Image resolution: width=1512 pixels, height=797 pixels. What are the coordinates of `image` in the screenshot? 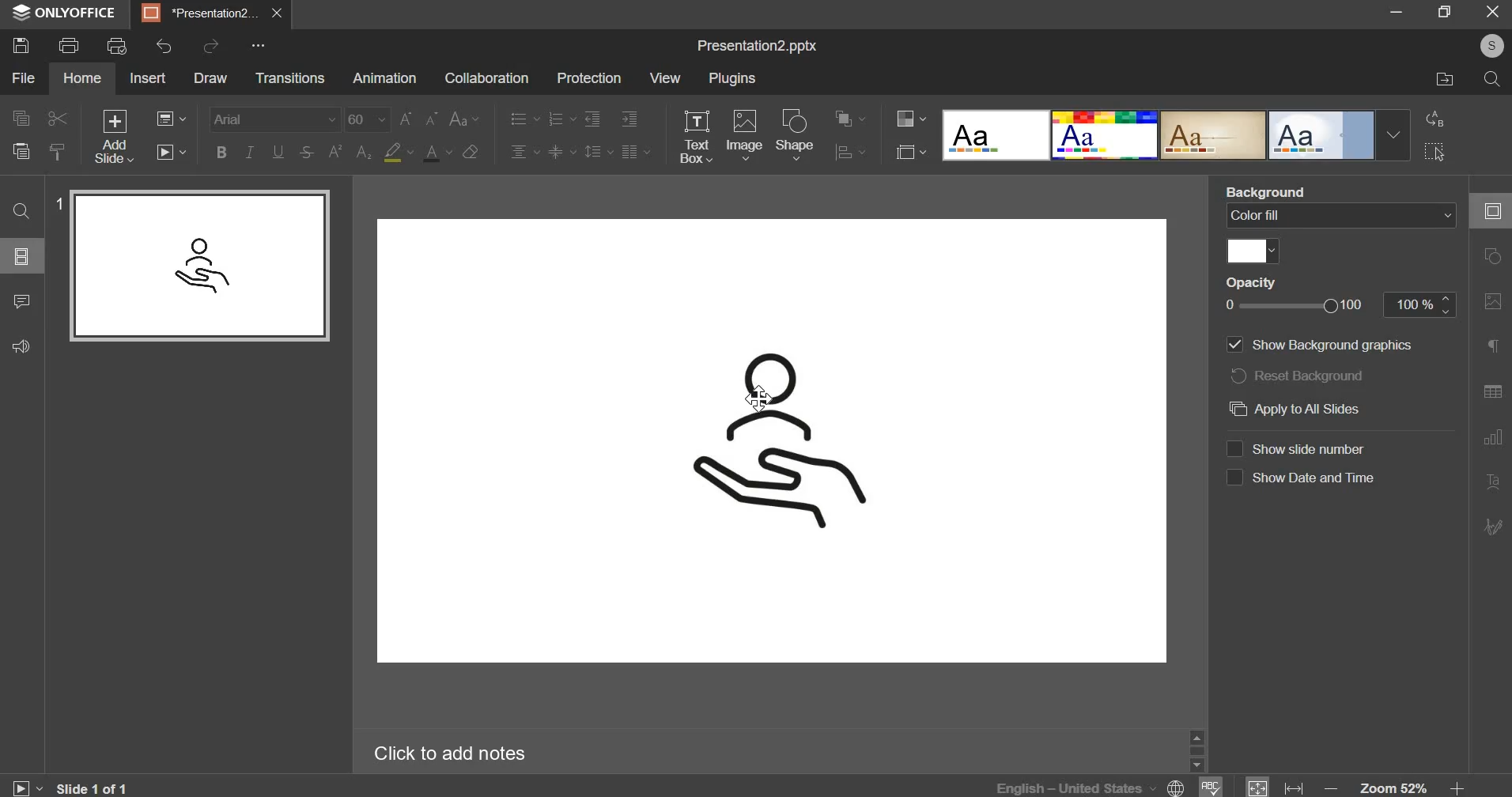 It's located at (746, 133).